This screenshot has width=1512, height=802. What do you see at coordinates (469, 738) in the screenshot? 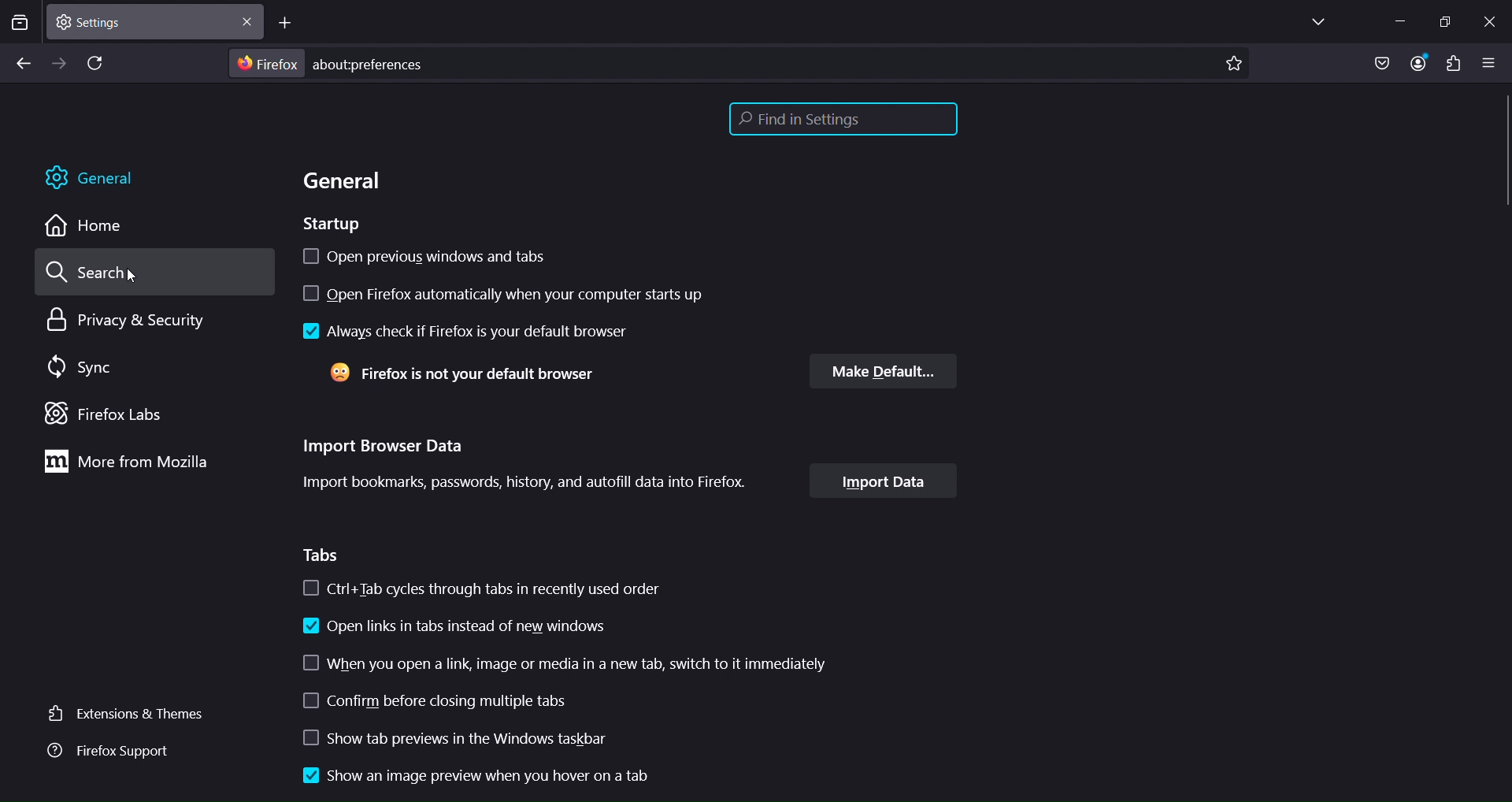
I see `show tab previous in the windows taskbar` at bounding box center [469, 738].